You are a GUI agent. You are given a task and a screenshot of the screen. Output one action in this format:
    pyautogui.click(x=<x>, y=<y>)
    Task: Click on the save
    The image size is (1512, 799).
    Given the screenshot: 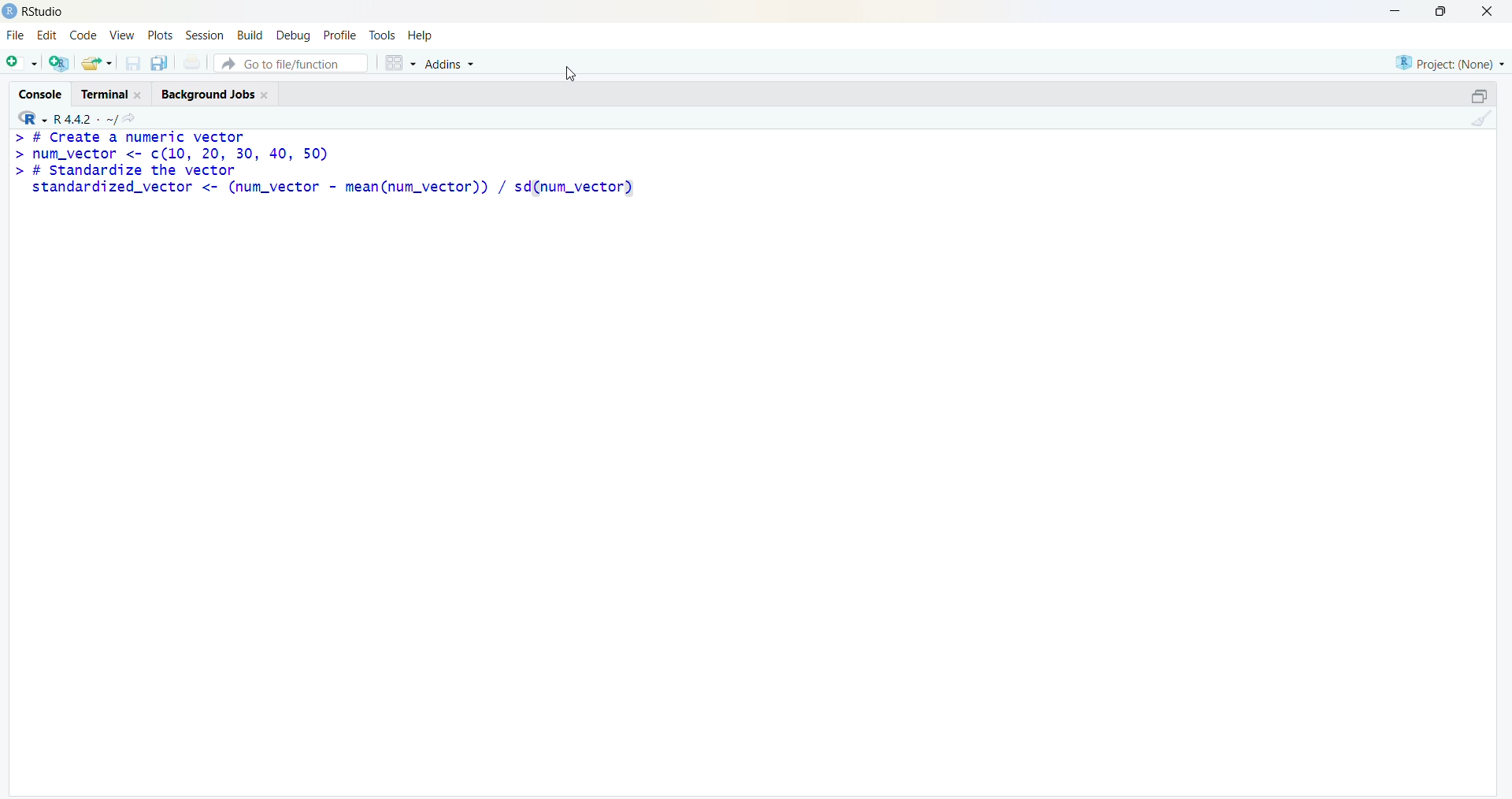 What is the action you would take?
    pyautogui.click(x=132, y=63)
    